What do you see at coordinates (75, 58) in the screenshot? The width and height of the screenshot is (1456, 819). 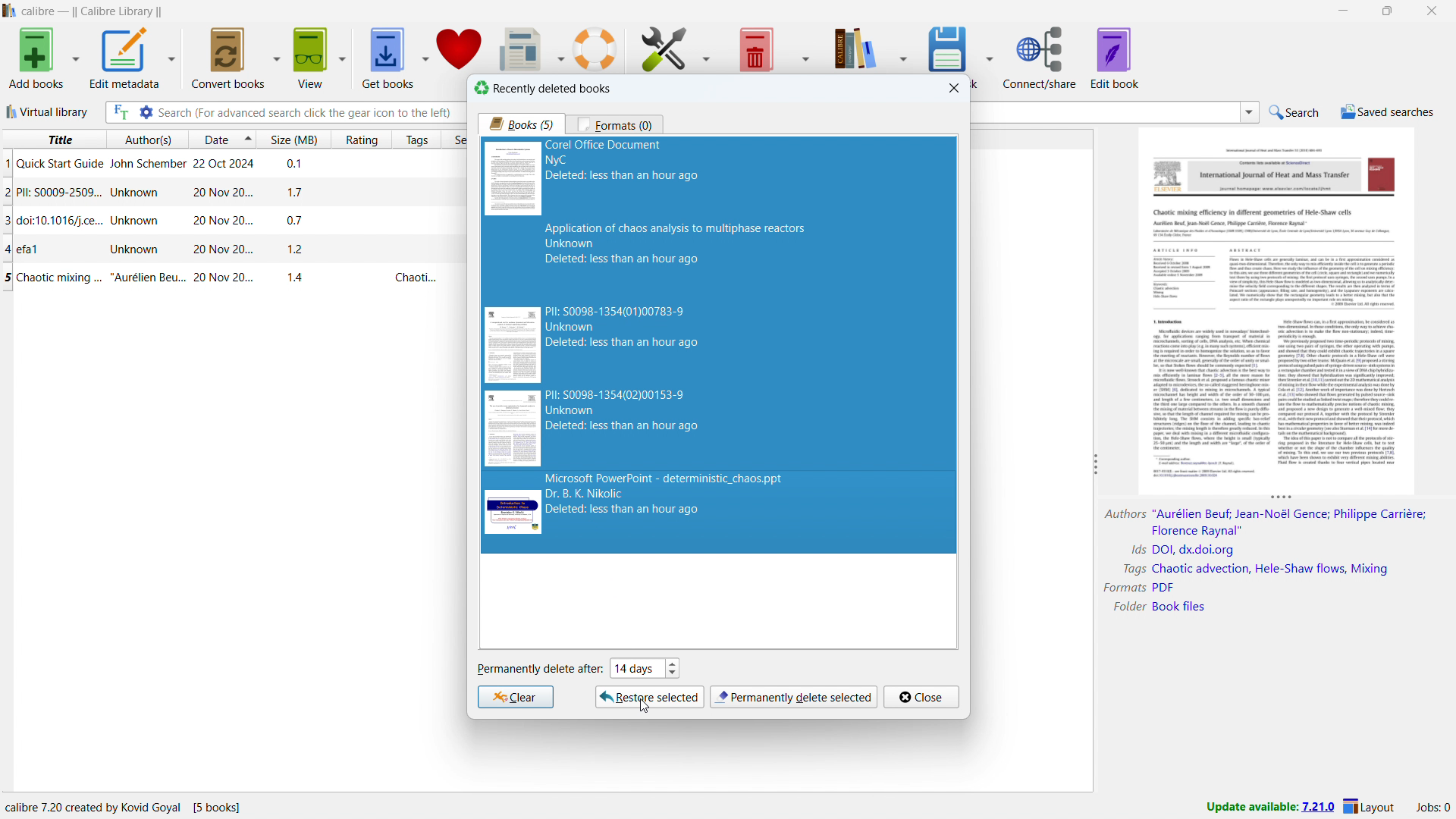 I see `add books options` at bounding box center [75, 58].